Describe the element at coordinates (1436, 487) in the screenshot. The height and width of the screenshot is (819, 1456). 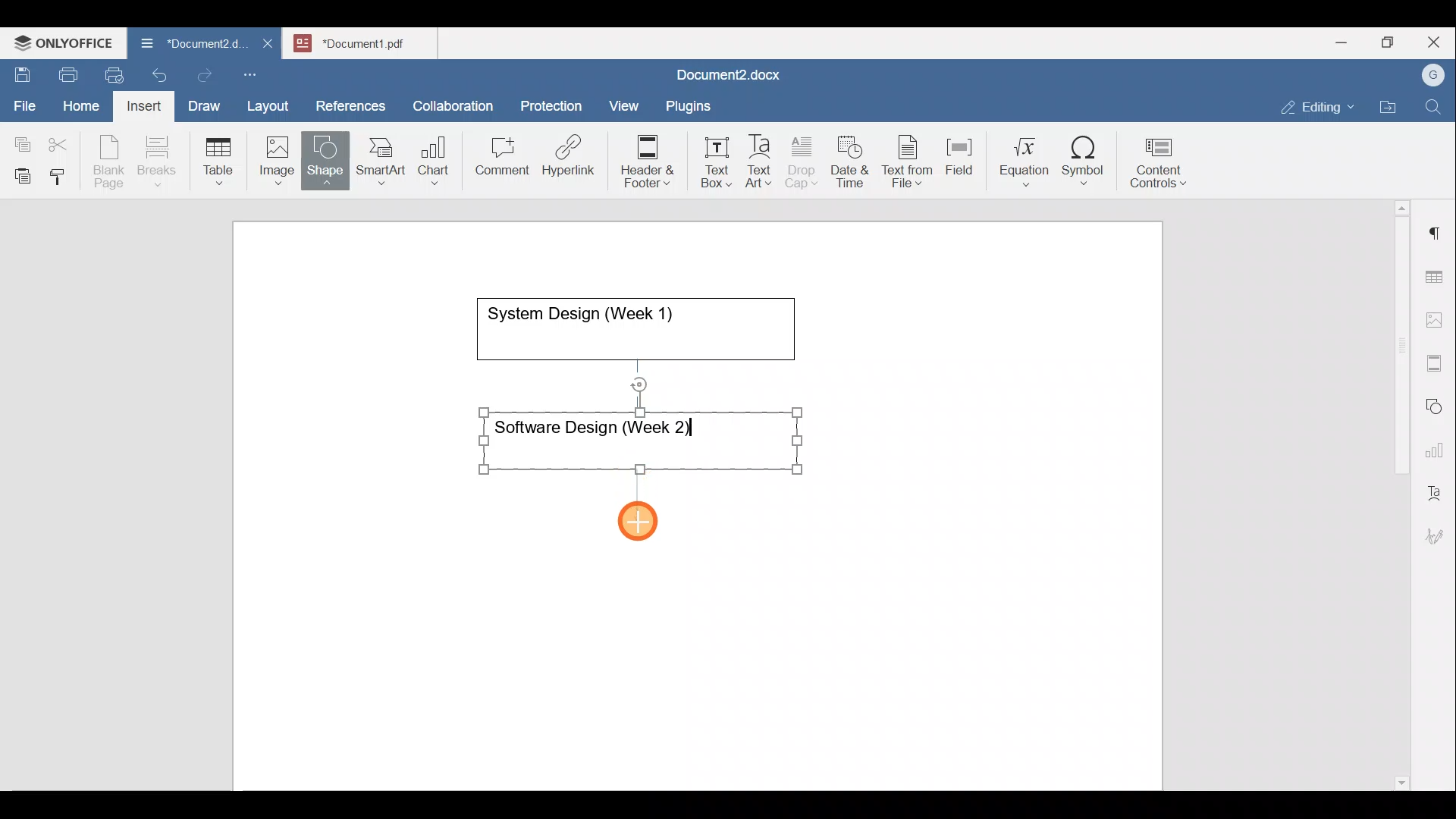
I see `Text Art settings` at that location.